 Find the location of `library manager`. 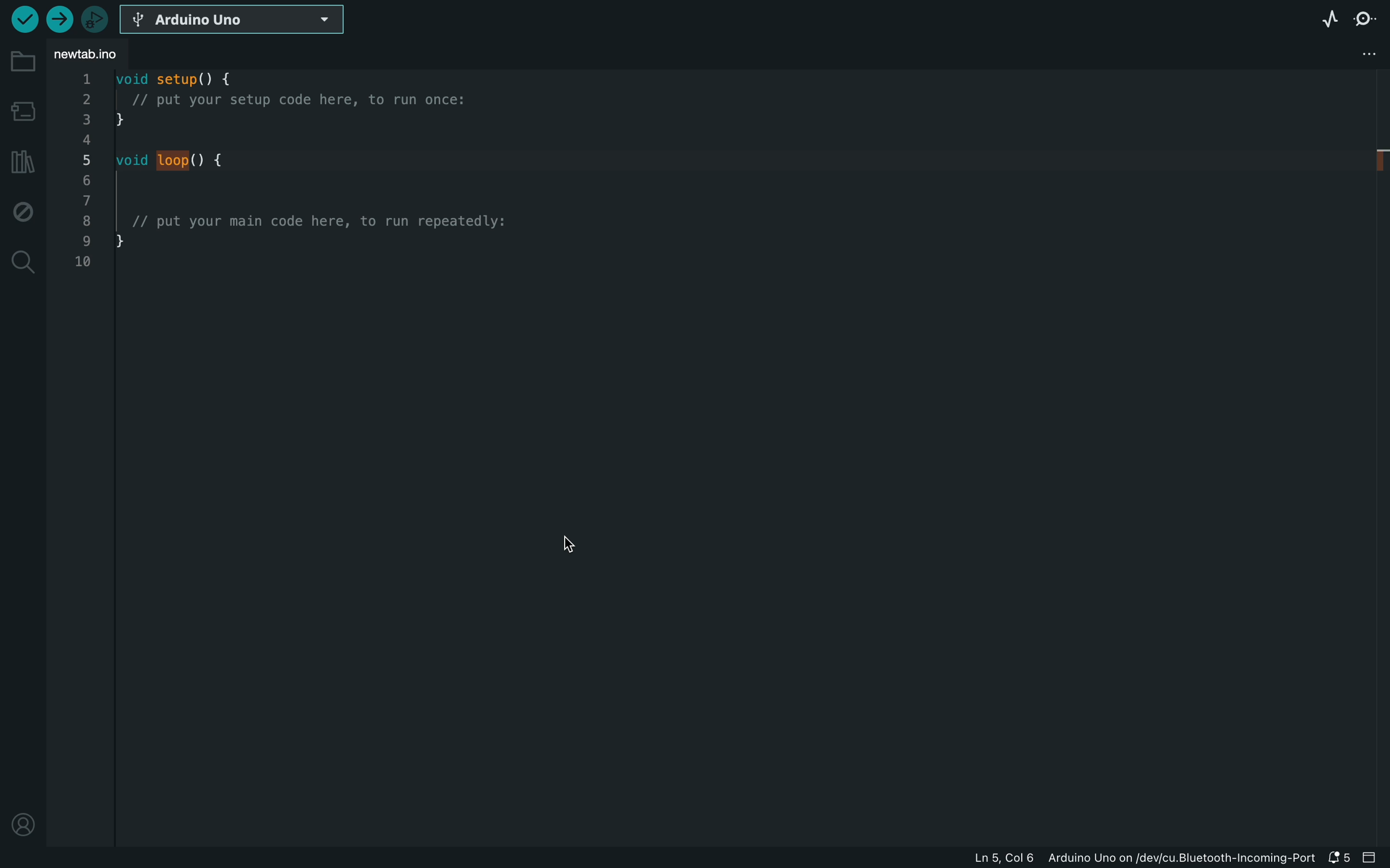

library manager is located at coordinates (22, 163).